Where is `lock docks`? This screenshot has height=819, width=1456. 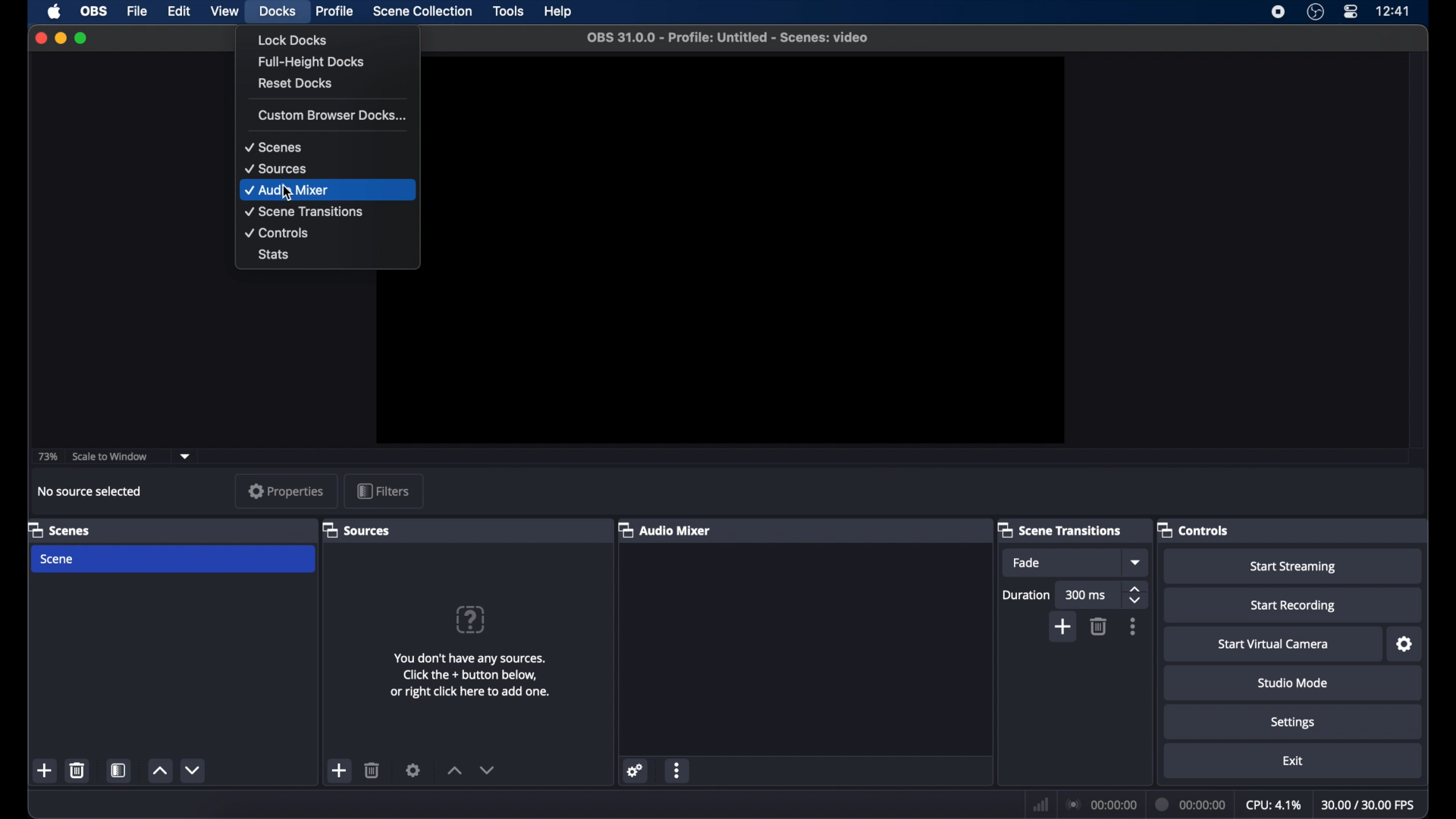 lock docks is located at coordinates (293, 39).